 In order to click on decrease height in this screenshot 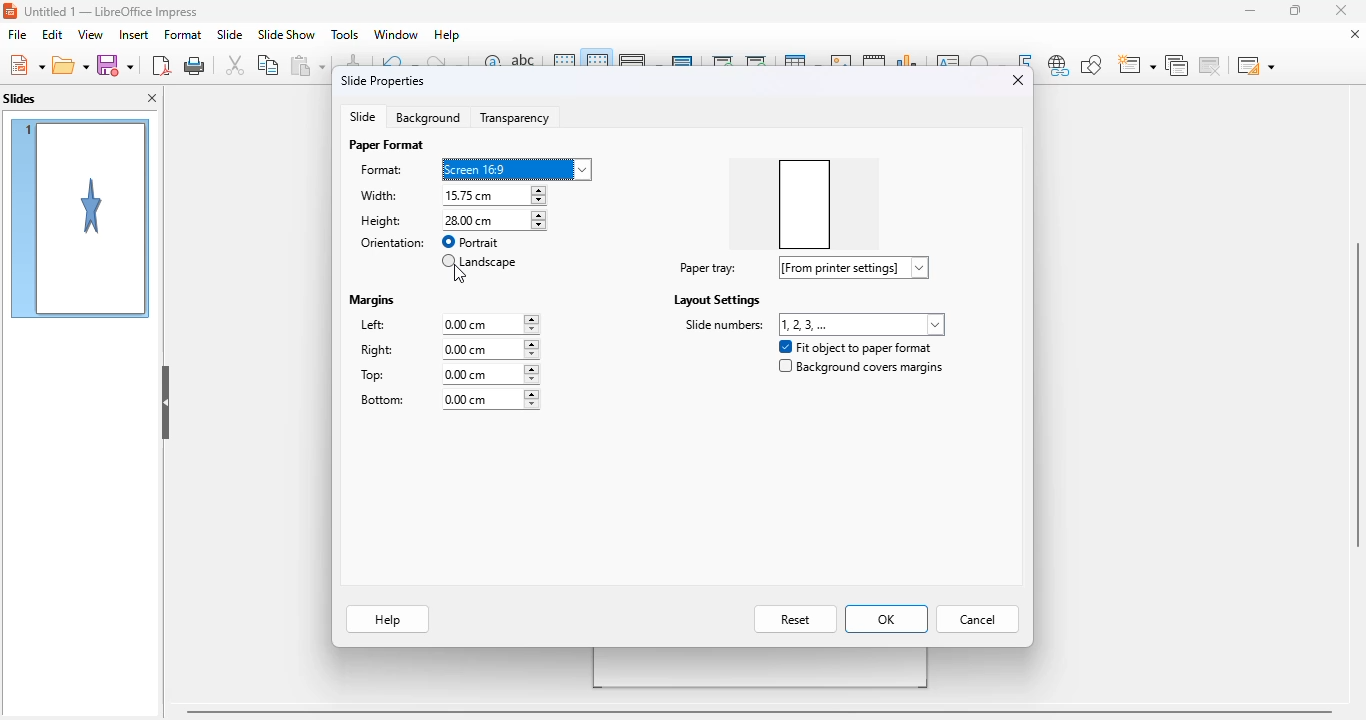, I will do `click(538, 227)`.